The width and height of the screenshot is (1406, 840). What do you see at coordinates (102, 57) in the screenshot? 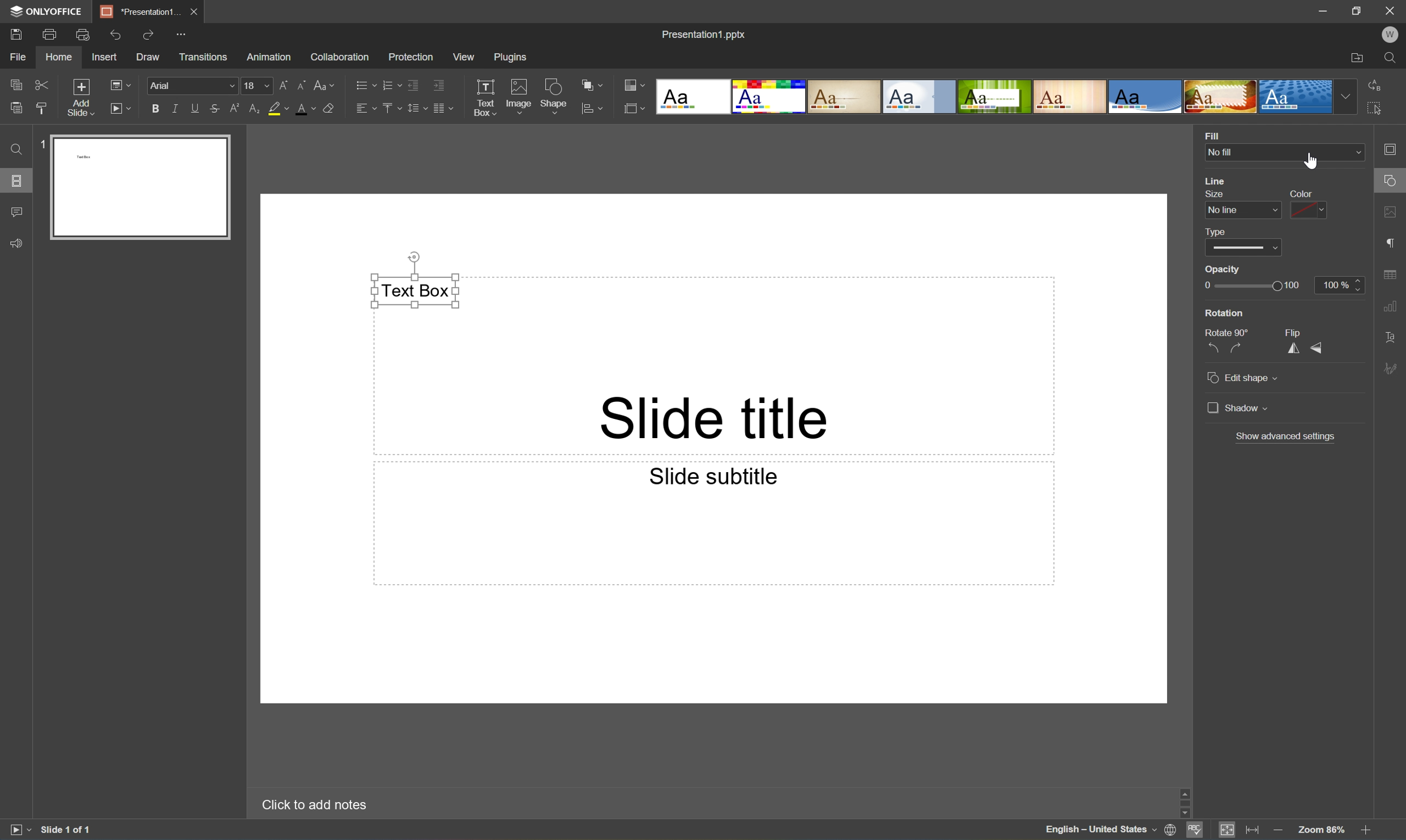
I see `Insert` at bounding box center [102, 57].